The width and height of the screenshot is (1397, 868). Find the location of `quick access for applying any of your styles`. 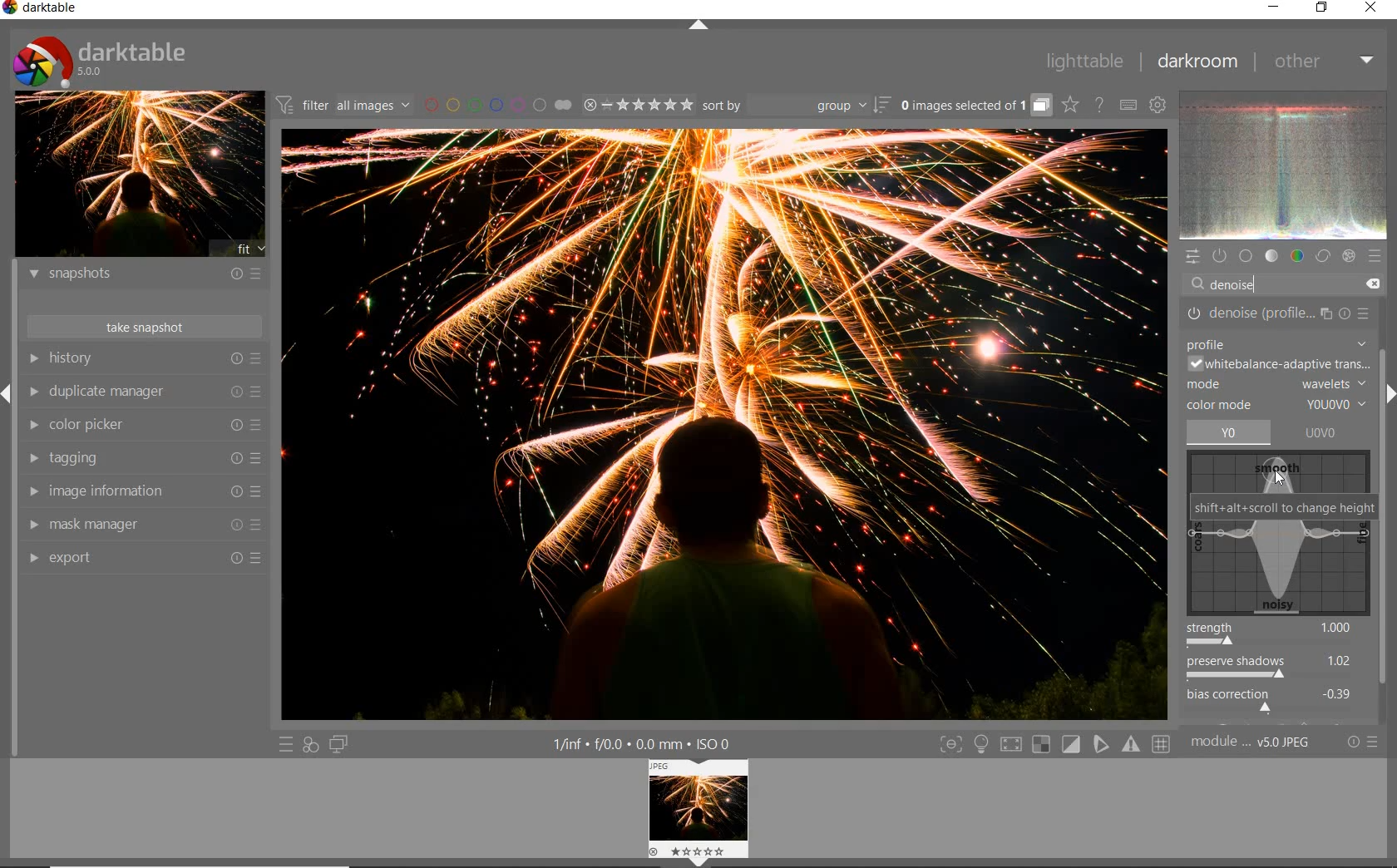

quick access for applying any of your styles is located at coordinates (311, 745).